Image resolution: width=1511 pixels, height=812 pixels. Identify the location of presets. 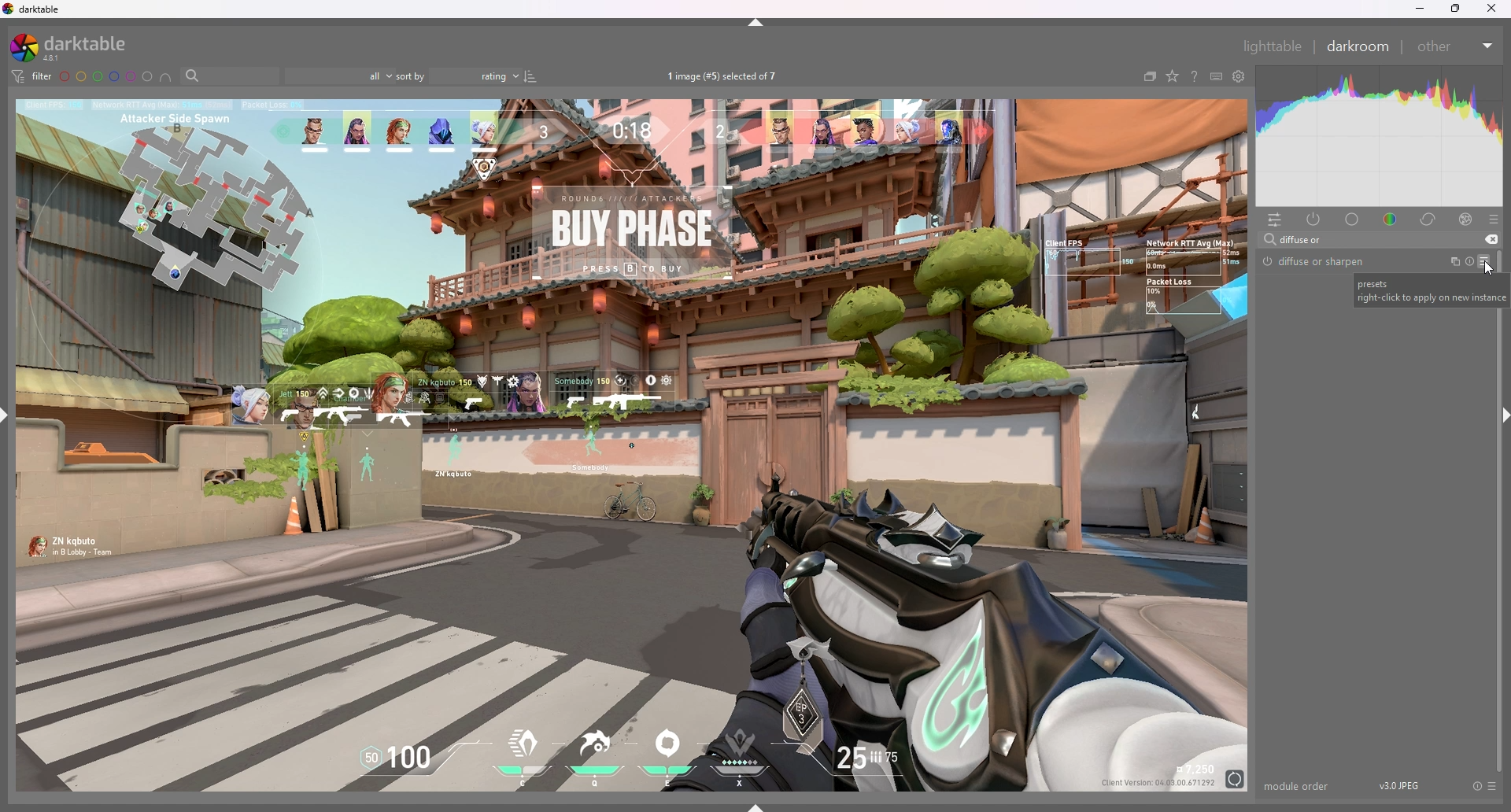
(1484, 262).